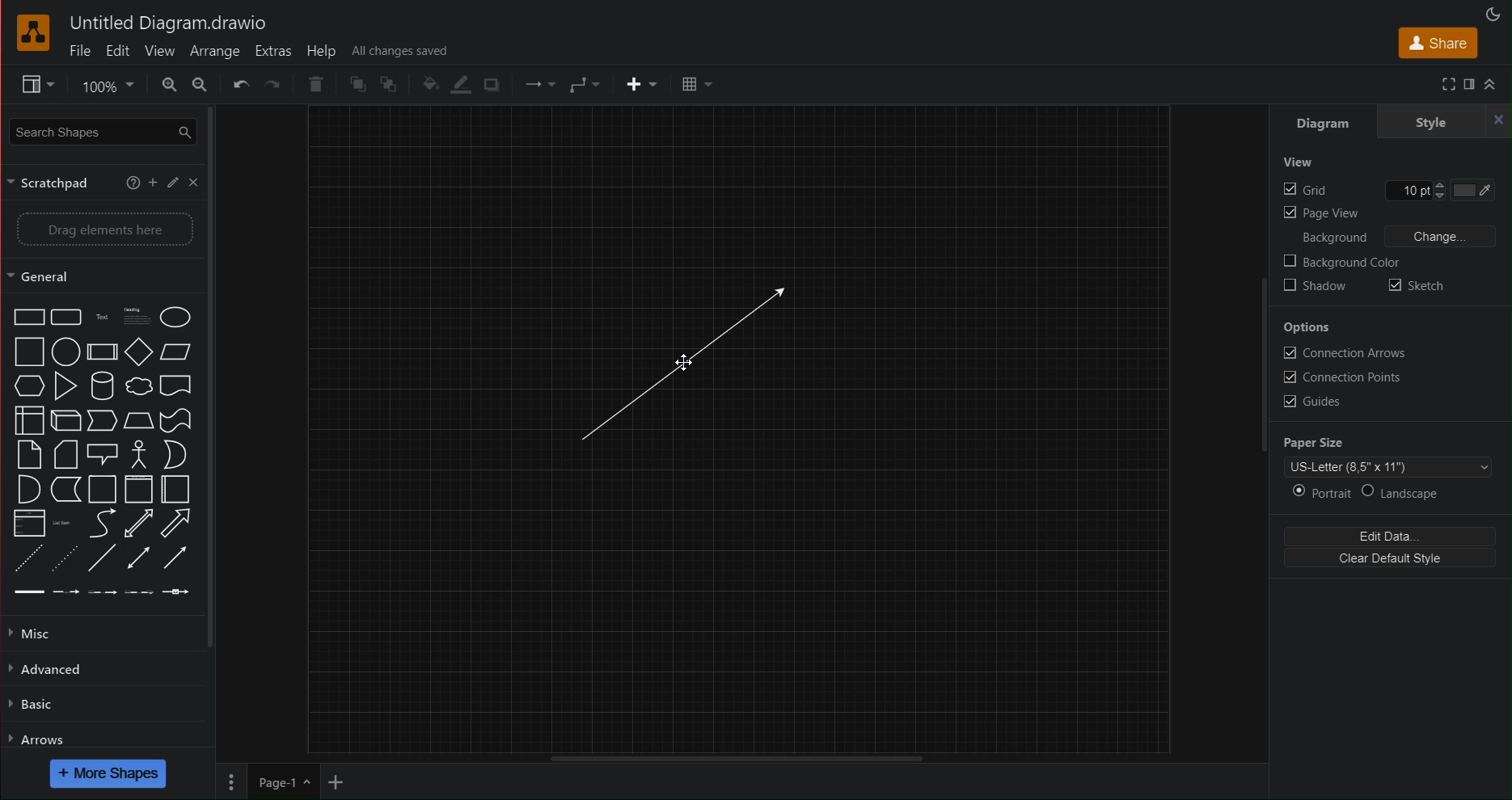 Image resolution: width=1512 pixels, height=800 pixels. What do you see at coordinates (103, 229) in the screenshot?
I see `Drag elements here` at bounding box center [103, 229].